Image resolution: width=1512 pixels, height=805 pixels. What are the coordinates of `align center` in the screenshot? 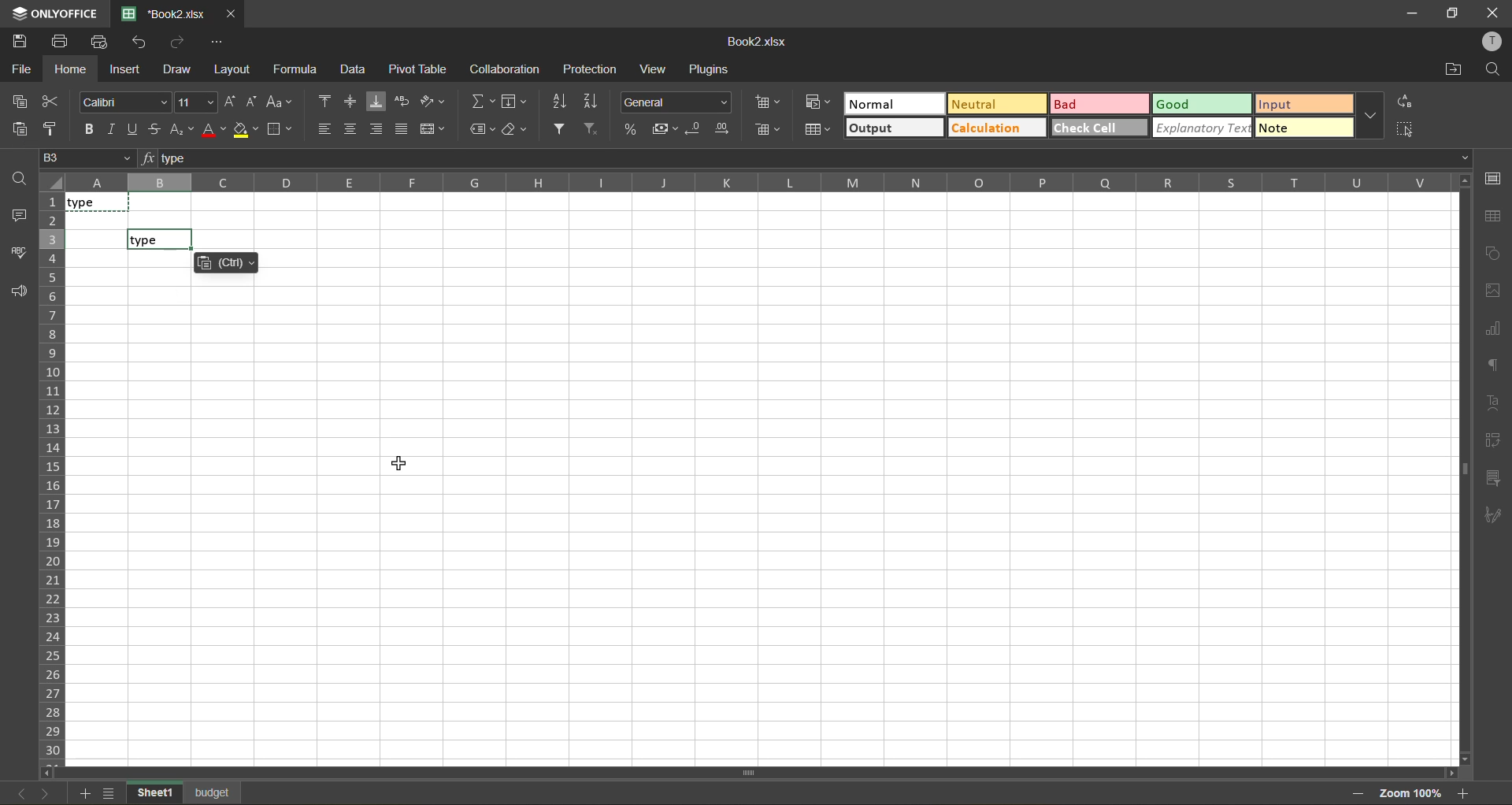 It's located at (351, 126).